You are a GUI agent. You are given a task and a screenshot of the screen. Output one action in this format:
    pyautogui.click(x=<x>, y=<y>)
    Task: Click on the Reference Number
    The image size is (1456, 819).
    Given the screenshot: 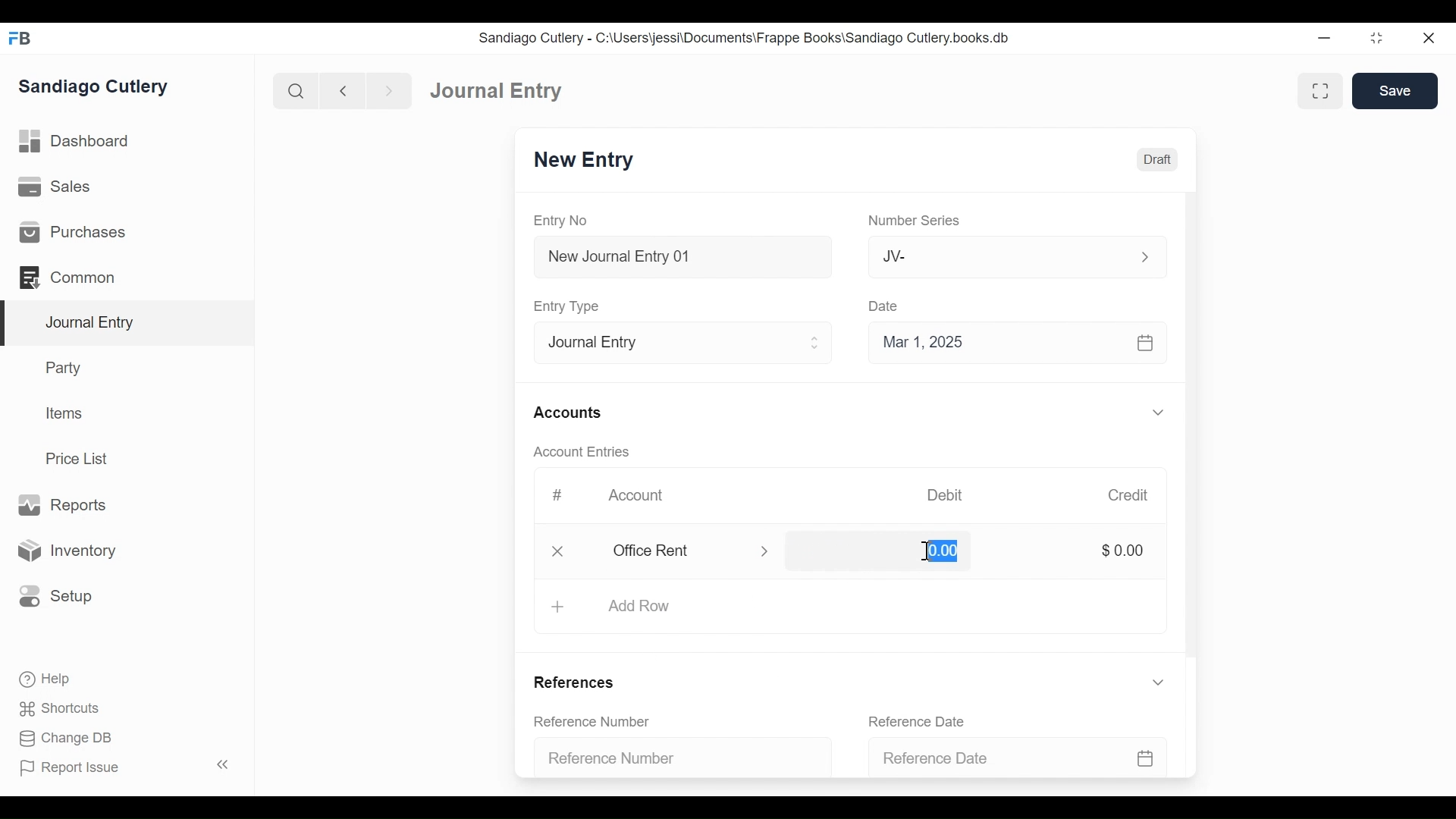 What is the action you would take?
    pyautogui.click(x=680, y=759)
    